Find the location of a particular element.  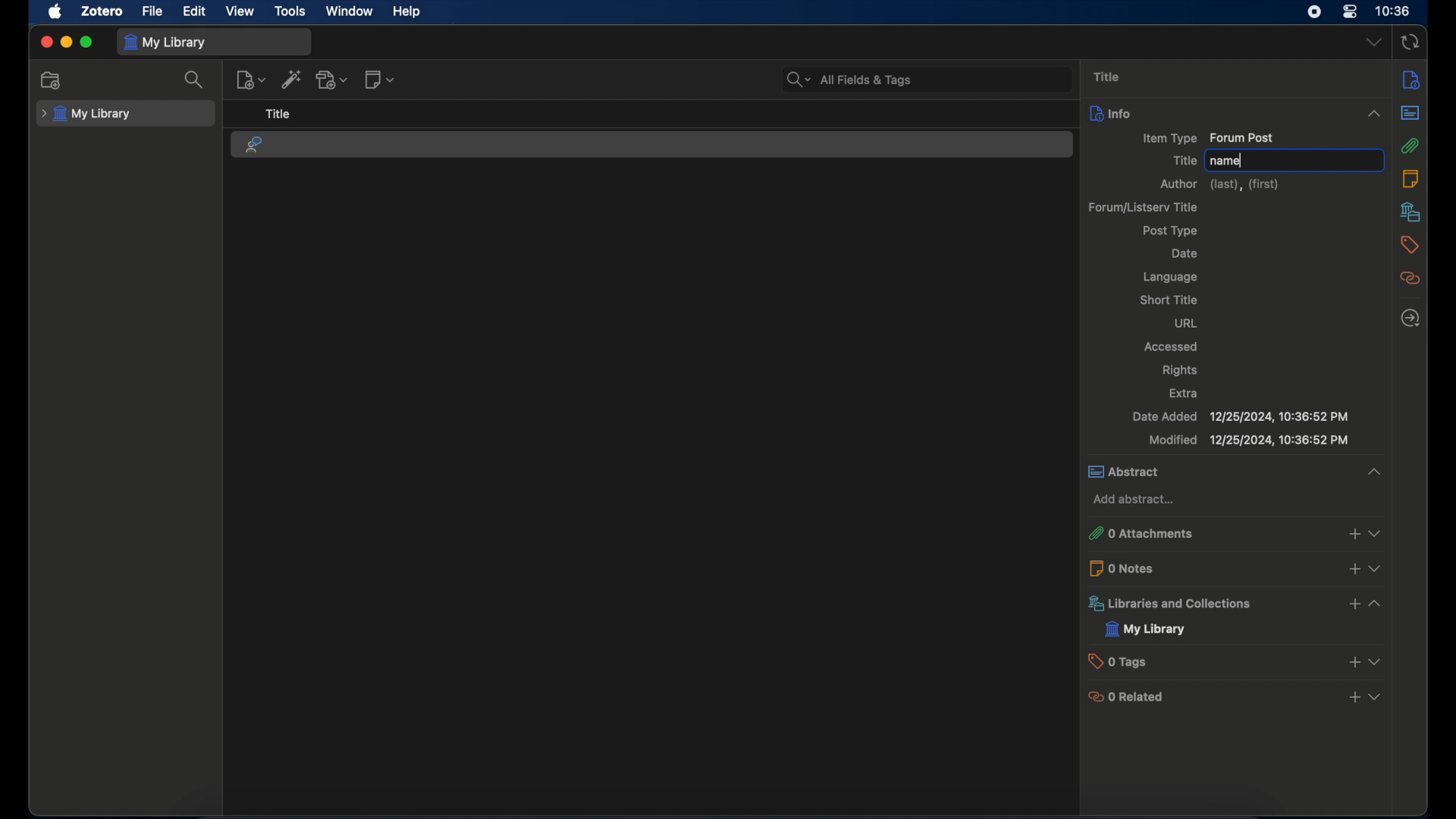

info is located at coordinates (1410, 81).